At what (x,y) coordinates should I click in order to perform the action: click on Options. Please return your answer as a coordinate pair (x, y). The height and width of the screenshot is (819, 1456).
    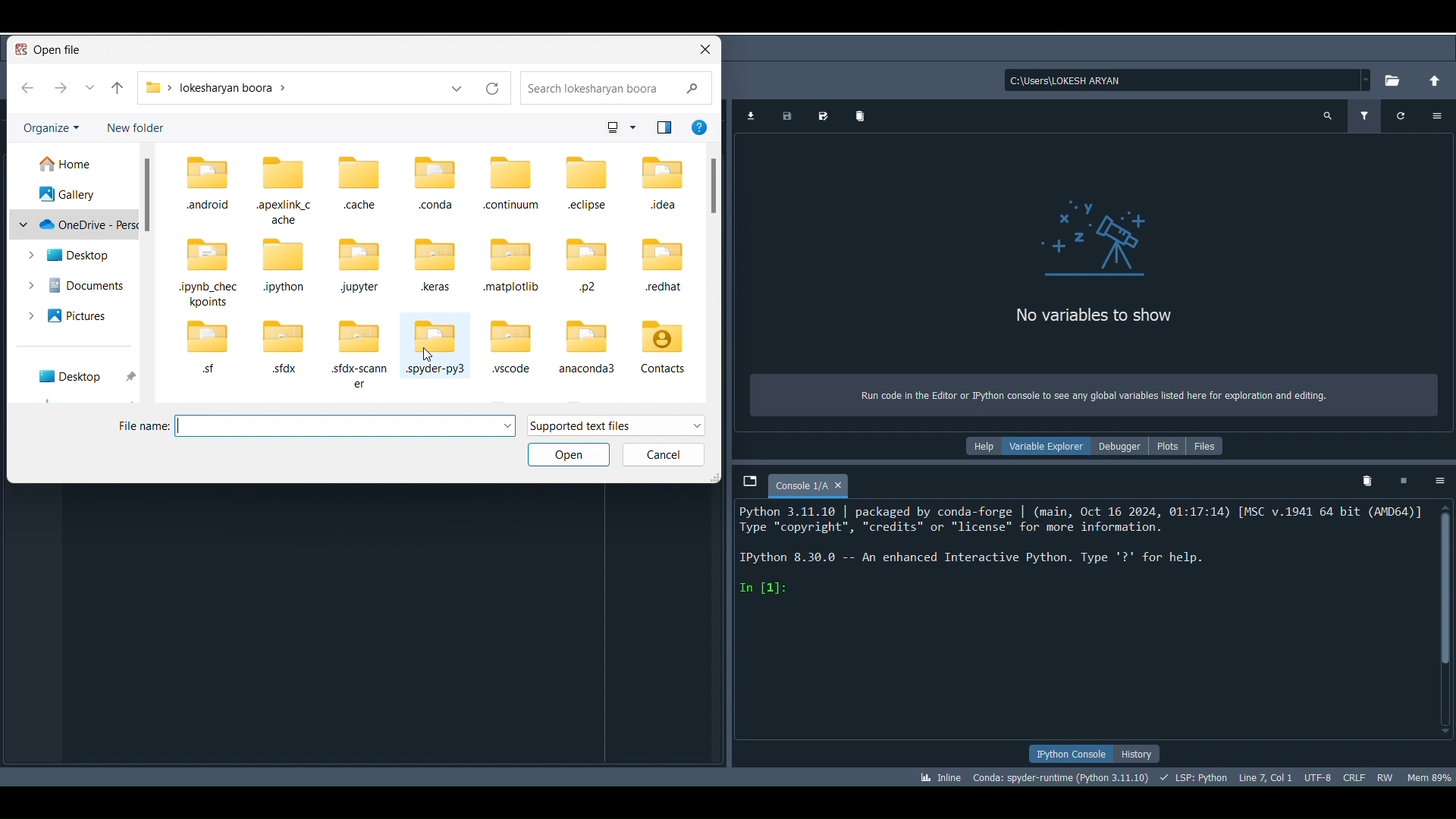
    Looking at the image, I should click on (1441, 479).